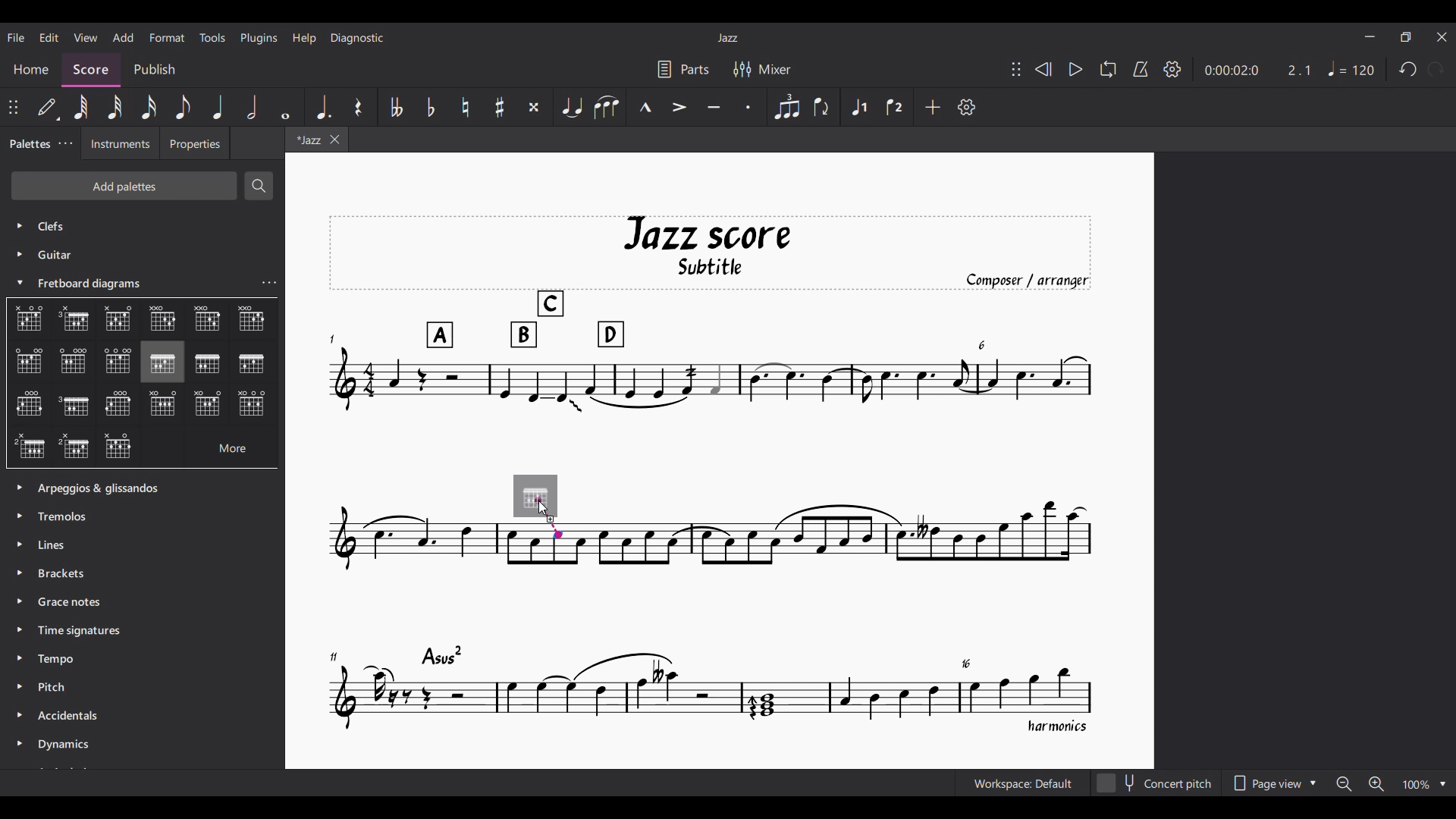 The image size is (1456, 819). What do you see at coordinates (500, 107) in the screenshot?
I see `Toggle sharp` at bounding box center [500, 107].